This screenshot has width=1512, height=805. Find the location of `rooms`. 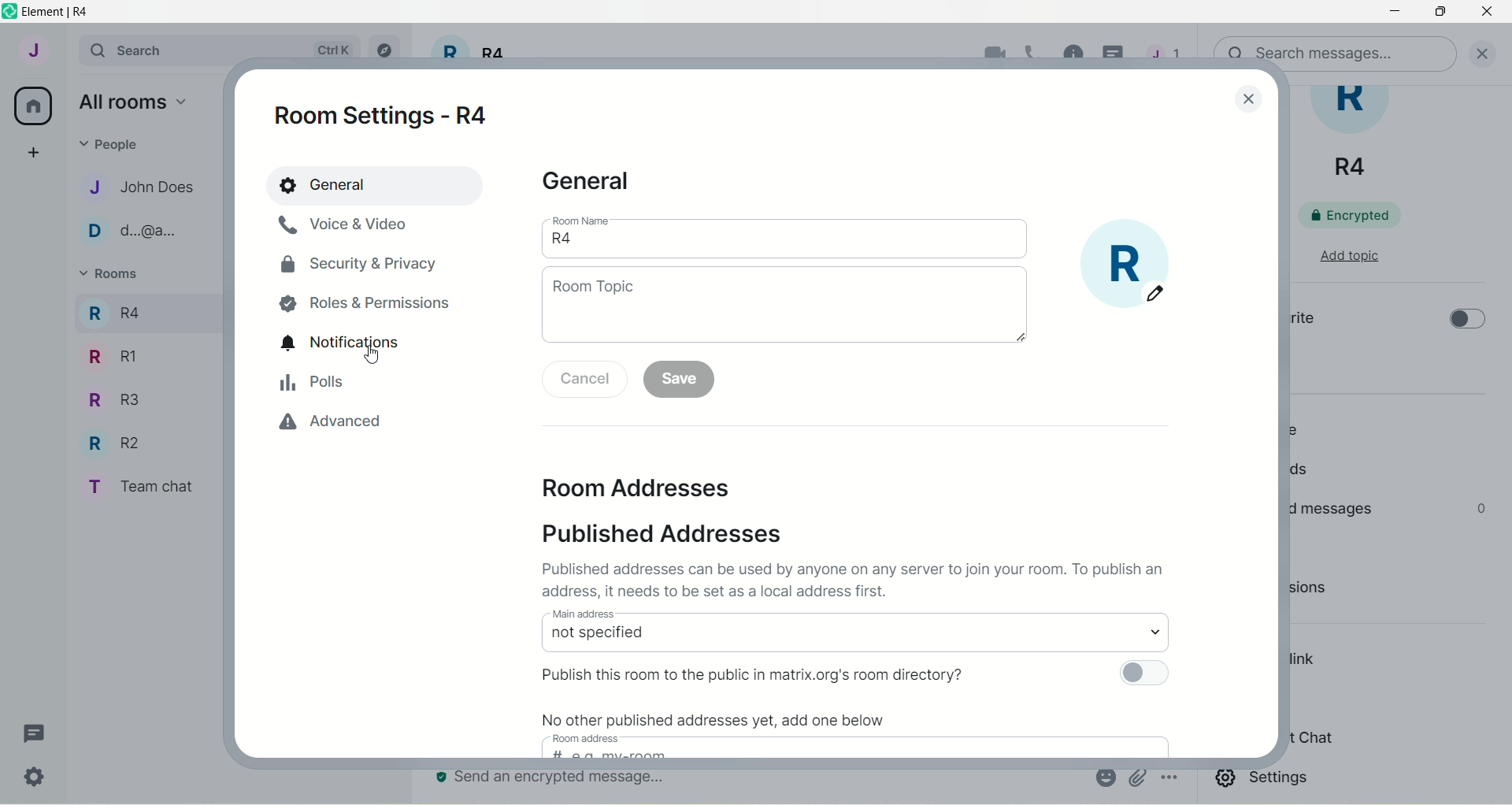

rooms is located at coordinates (112, 276).